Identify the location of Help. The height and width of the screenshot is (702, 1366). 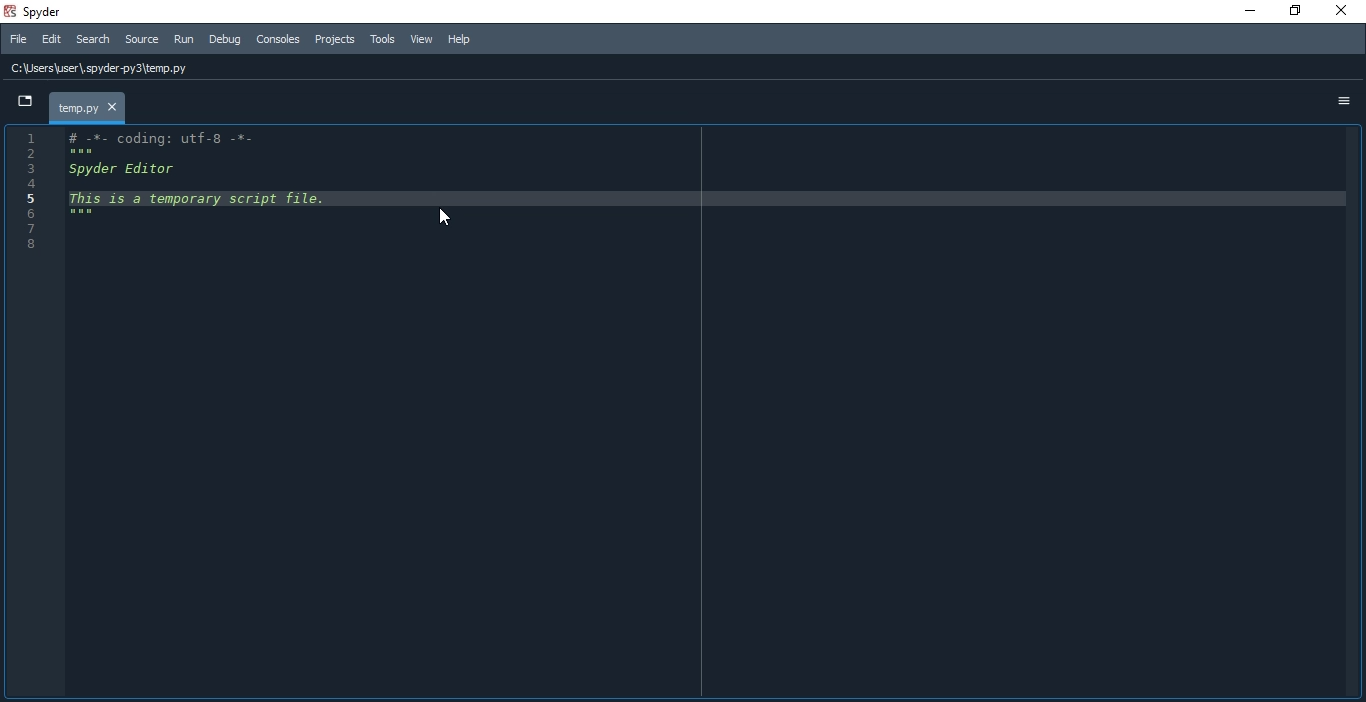
(467, 37).